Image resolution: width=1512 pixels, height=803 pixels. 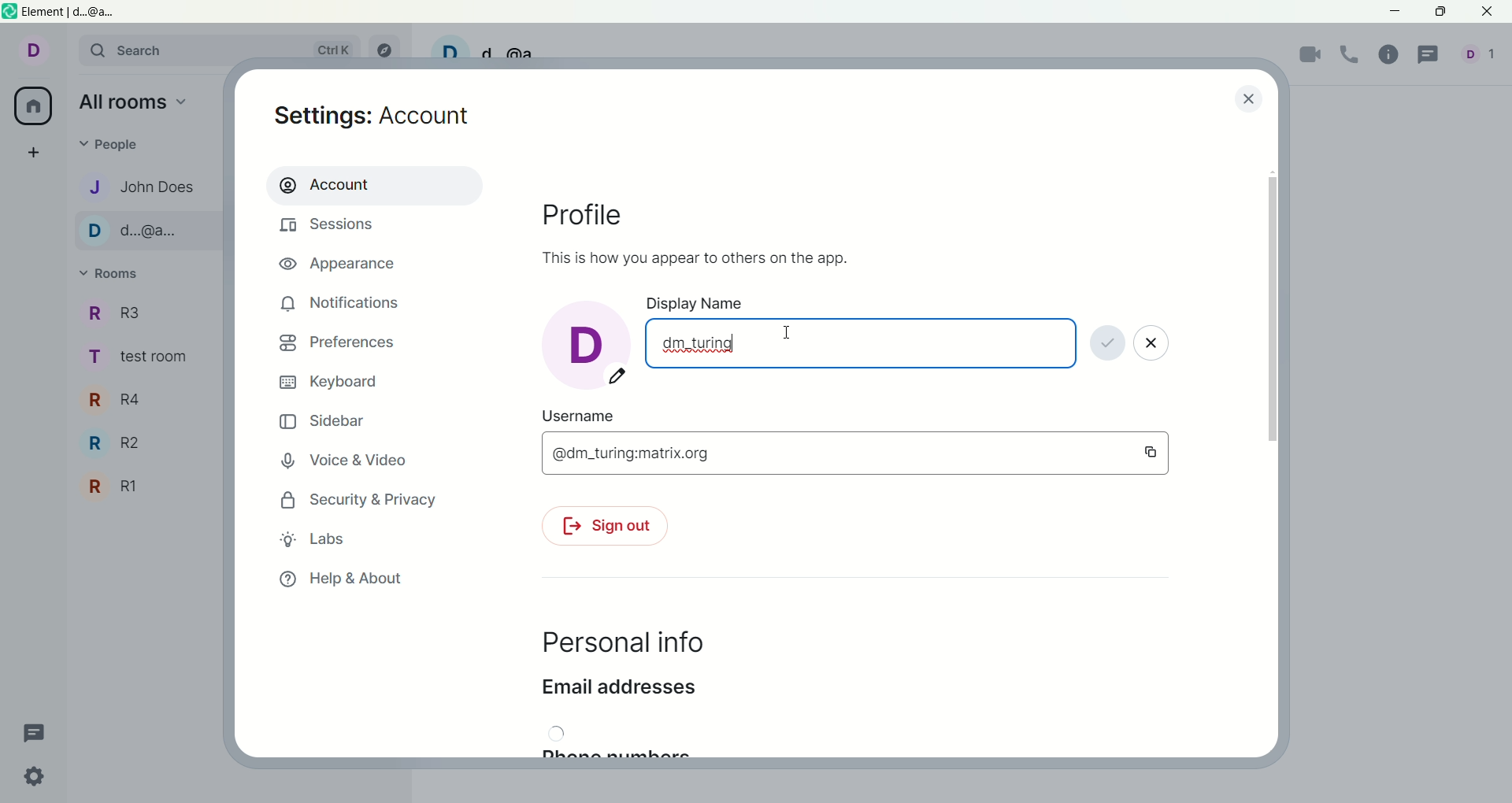 What do you see at coordinates (136, 186) in the screenshot?
I see `John DOES` at bounding box center [136, 186].